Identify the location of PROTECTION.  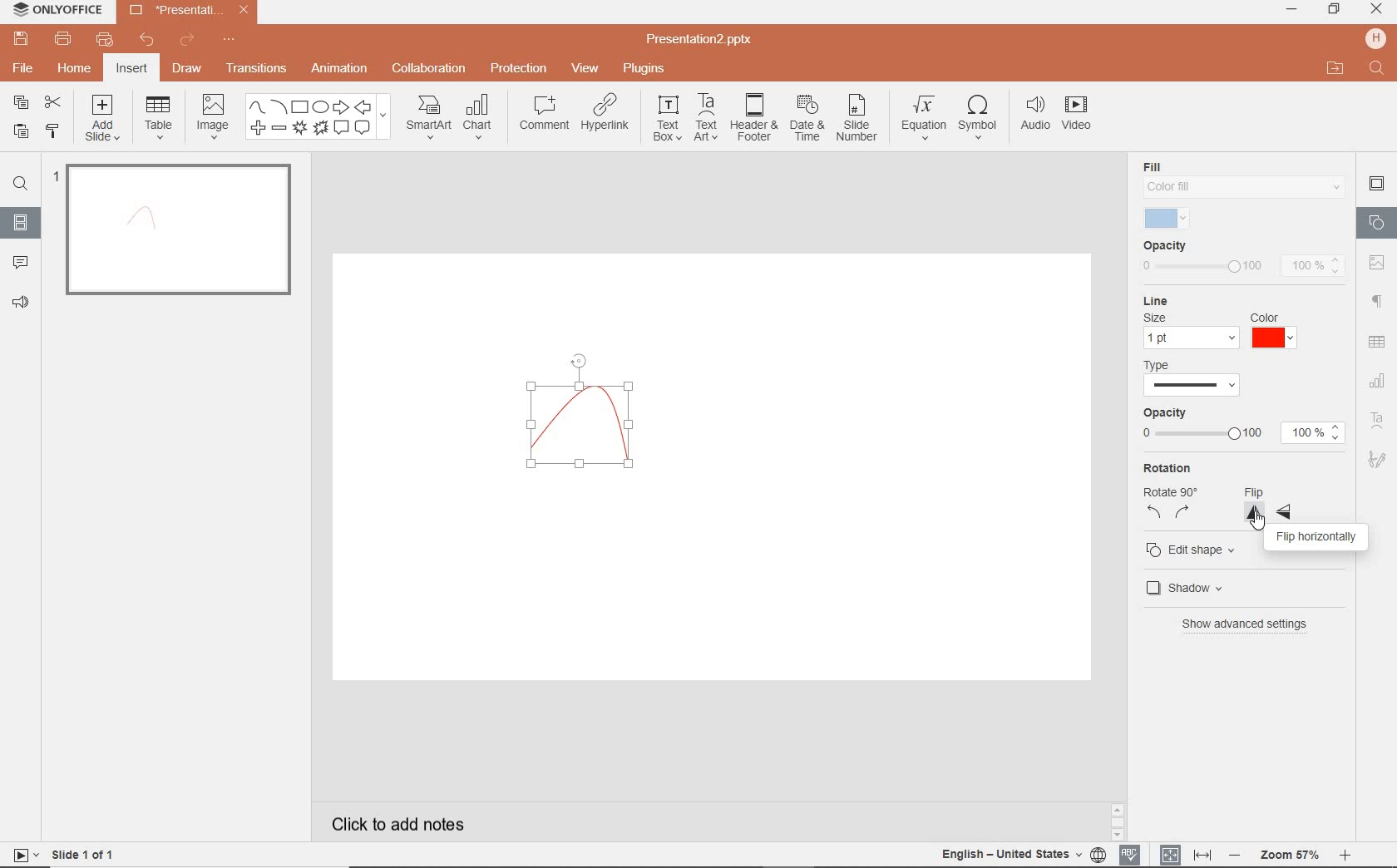
(519, 68).